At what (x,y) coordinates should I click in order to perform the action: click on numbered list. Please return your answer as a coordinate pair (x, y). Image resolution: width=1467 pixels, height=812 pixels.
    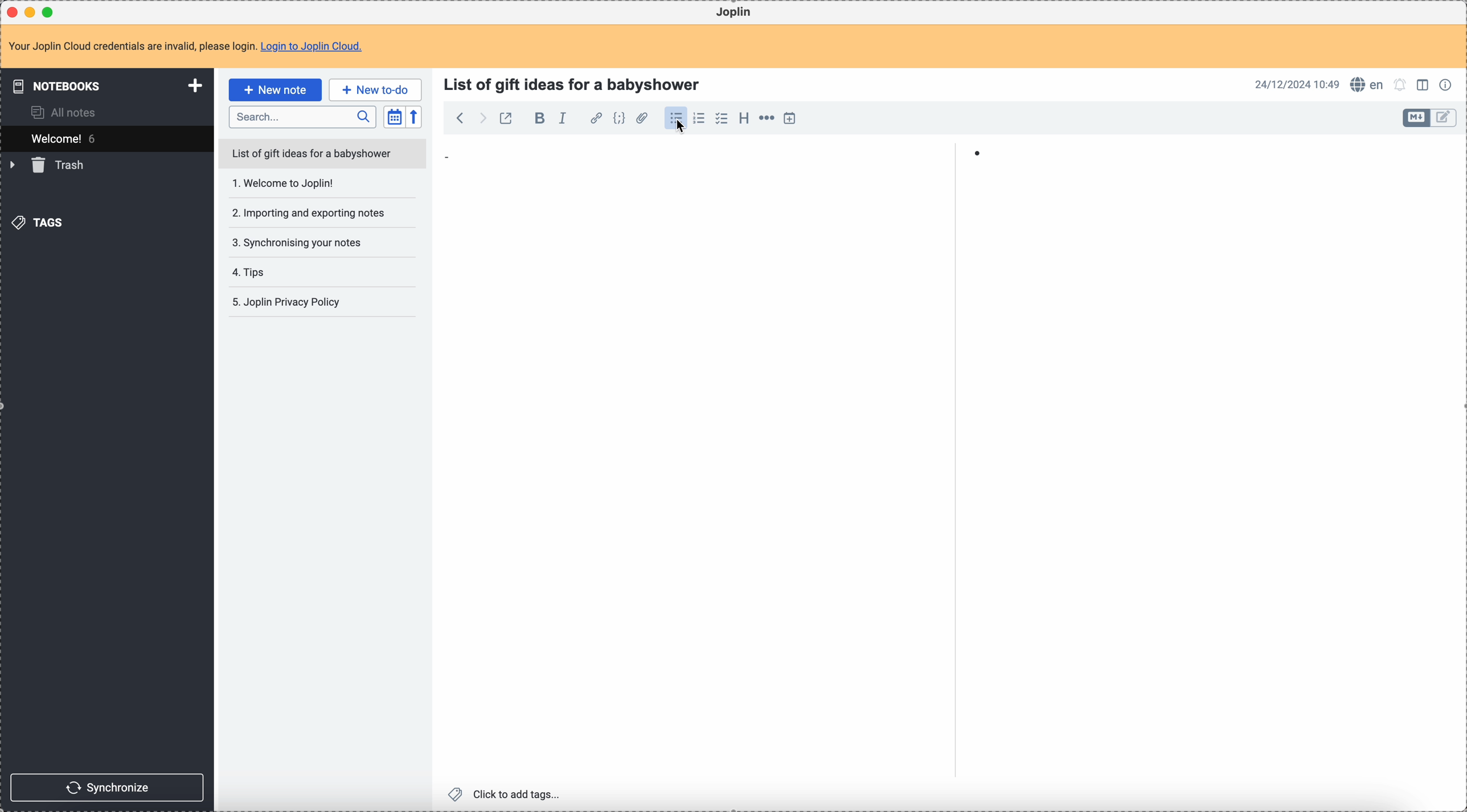
    Looking at the image, I should click on (702, 119).